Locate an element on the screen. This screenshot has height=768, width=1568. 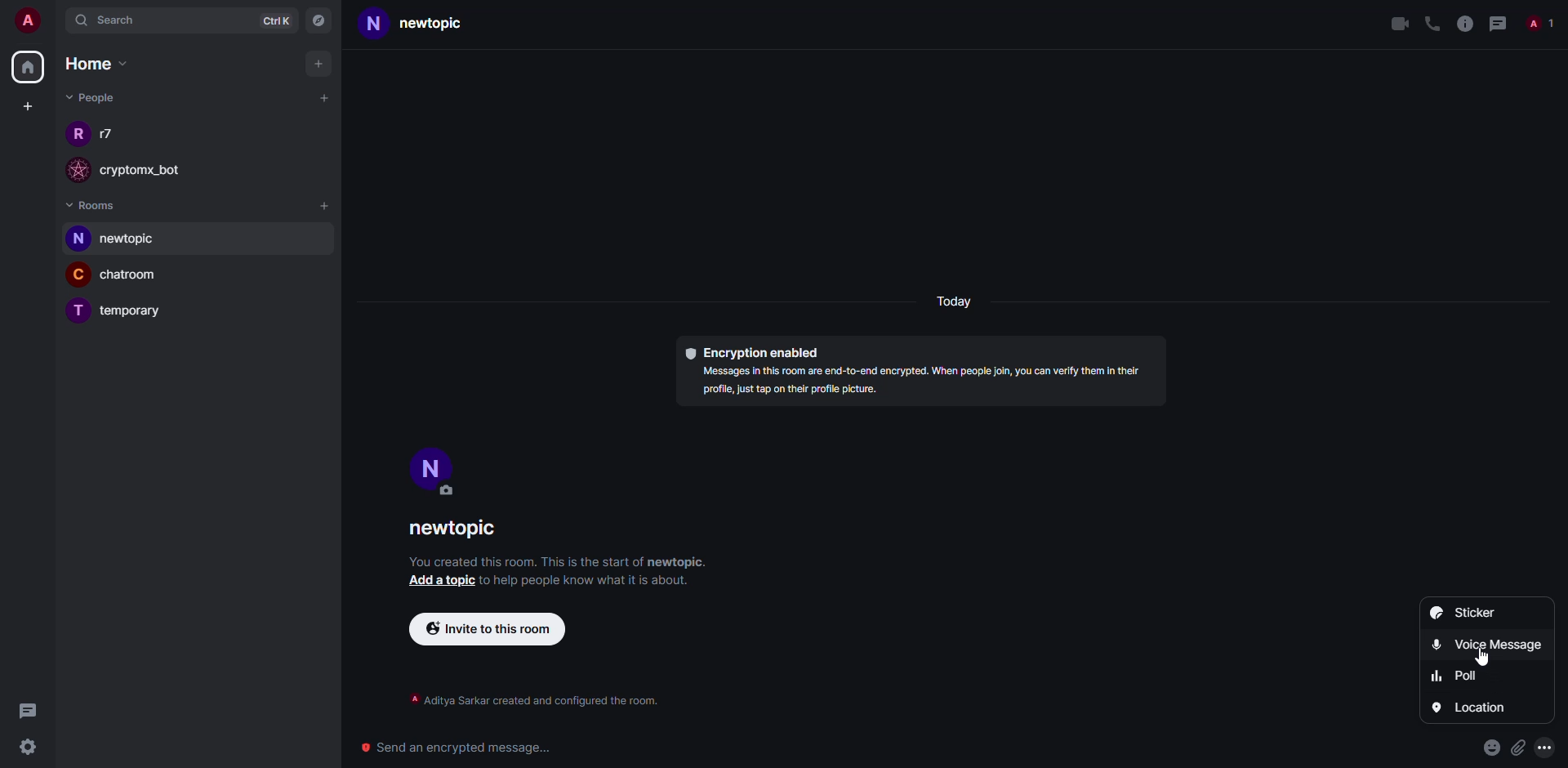
rooms is located at coordinates (98, 205).